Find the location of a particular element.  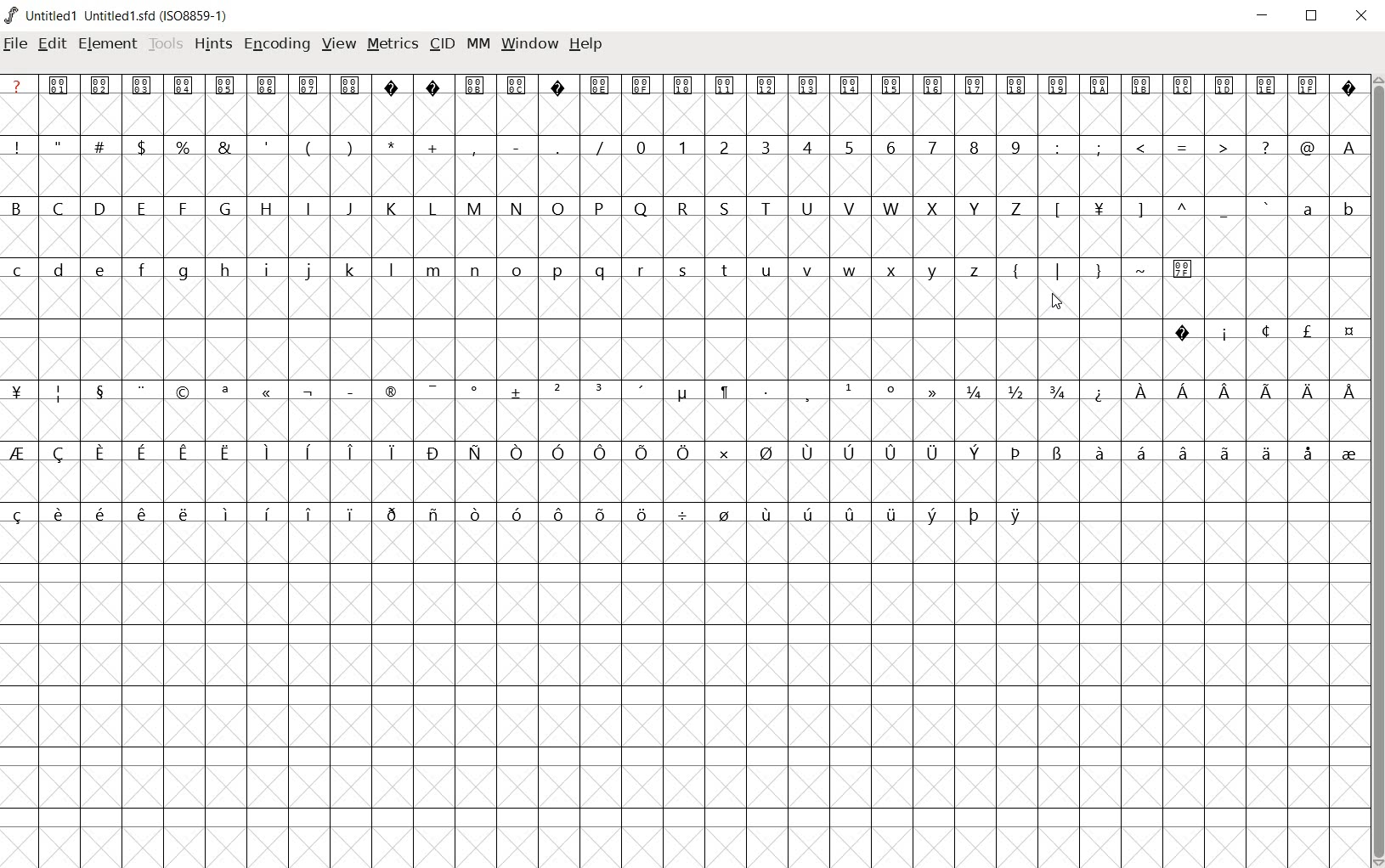

letters and symbols is located at coordinates (605, 270).